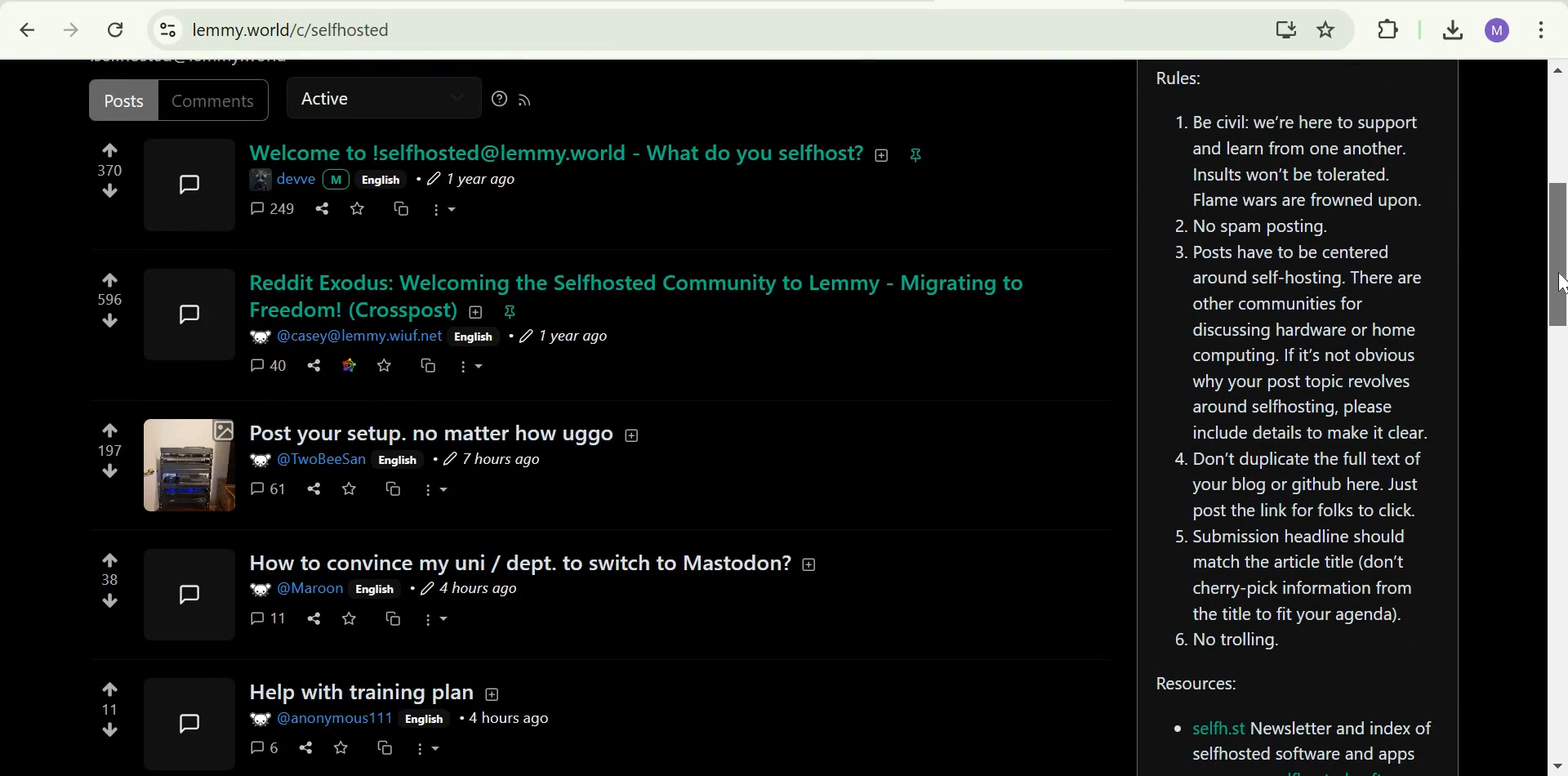 This screenshot has height=776, width=1568. What do you see at coordinates (323, 208) in the screenshot?
I see `share` at bounding box center [323, 208].